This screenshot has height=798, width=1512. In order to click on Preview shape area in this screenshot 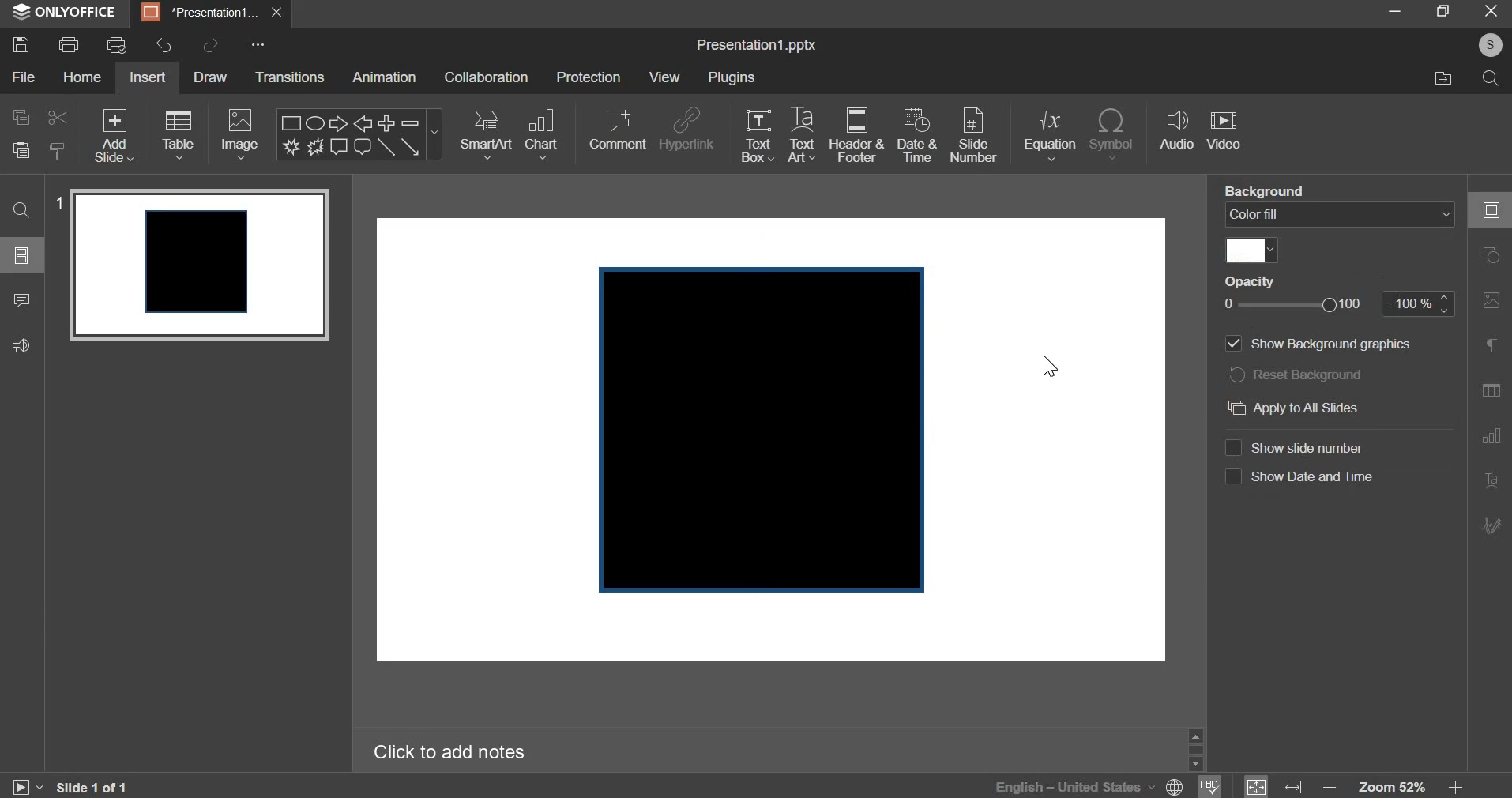, I will do `click(199, 272)`.